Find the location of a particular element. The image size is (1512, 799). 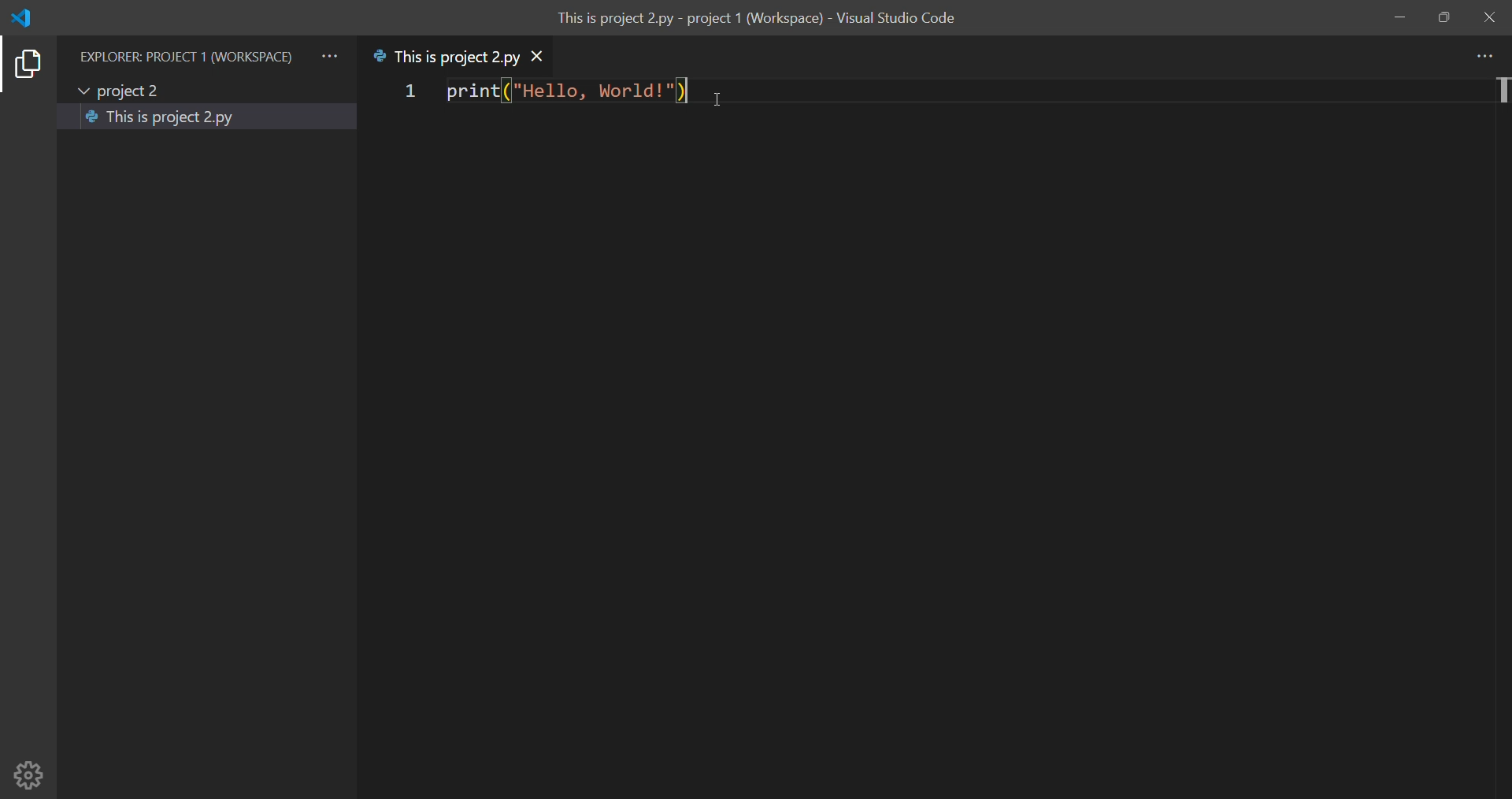

This is project 2.py is located at coordinates (443, 56).